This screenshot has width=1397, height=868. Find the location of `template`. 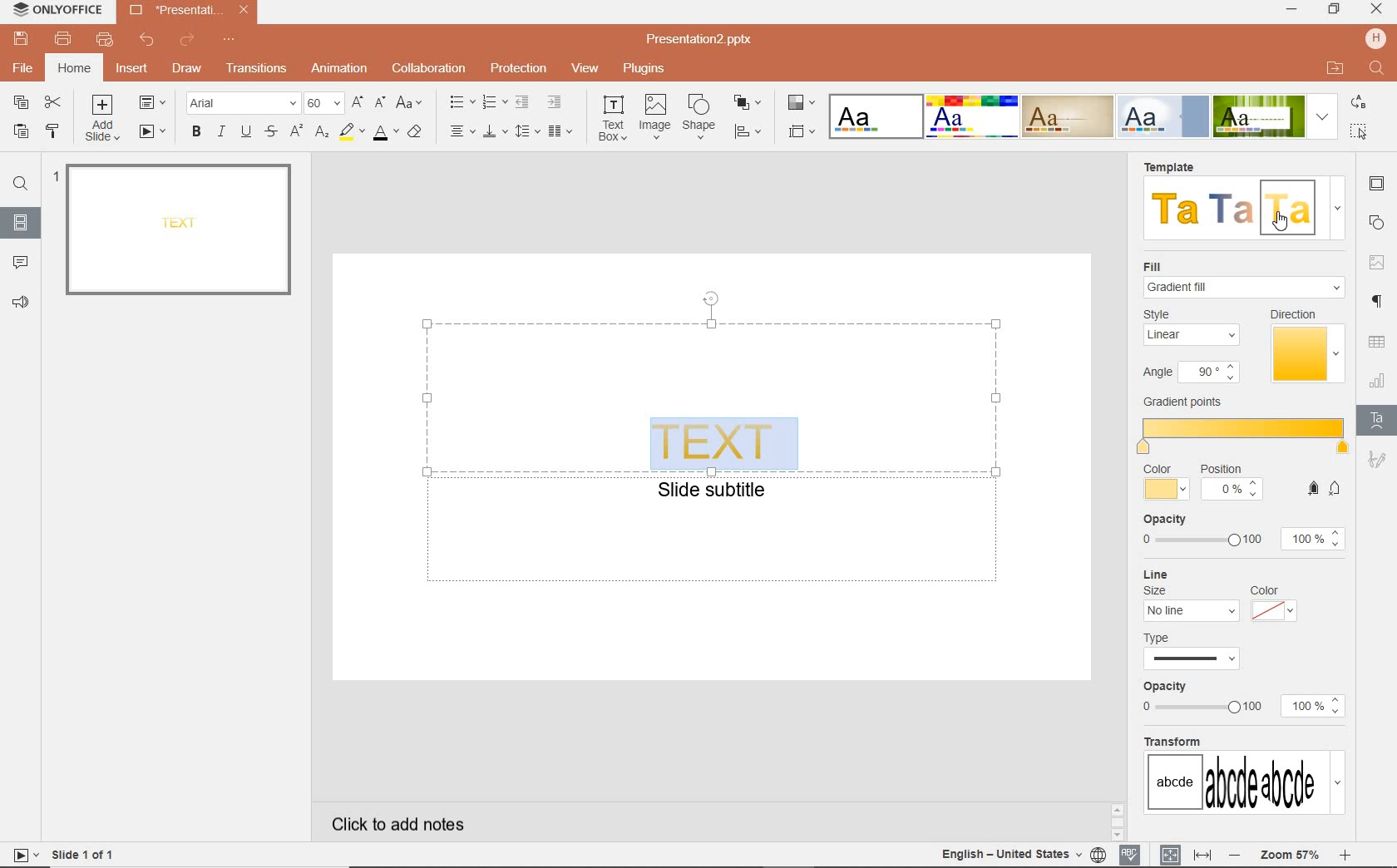

template is located at coordinates (1233, 207).